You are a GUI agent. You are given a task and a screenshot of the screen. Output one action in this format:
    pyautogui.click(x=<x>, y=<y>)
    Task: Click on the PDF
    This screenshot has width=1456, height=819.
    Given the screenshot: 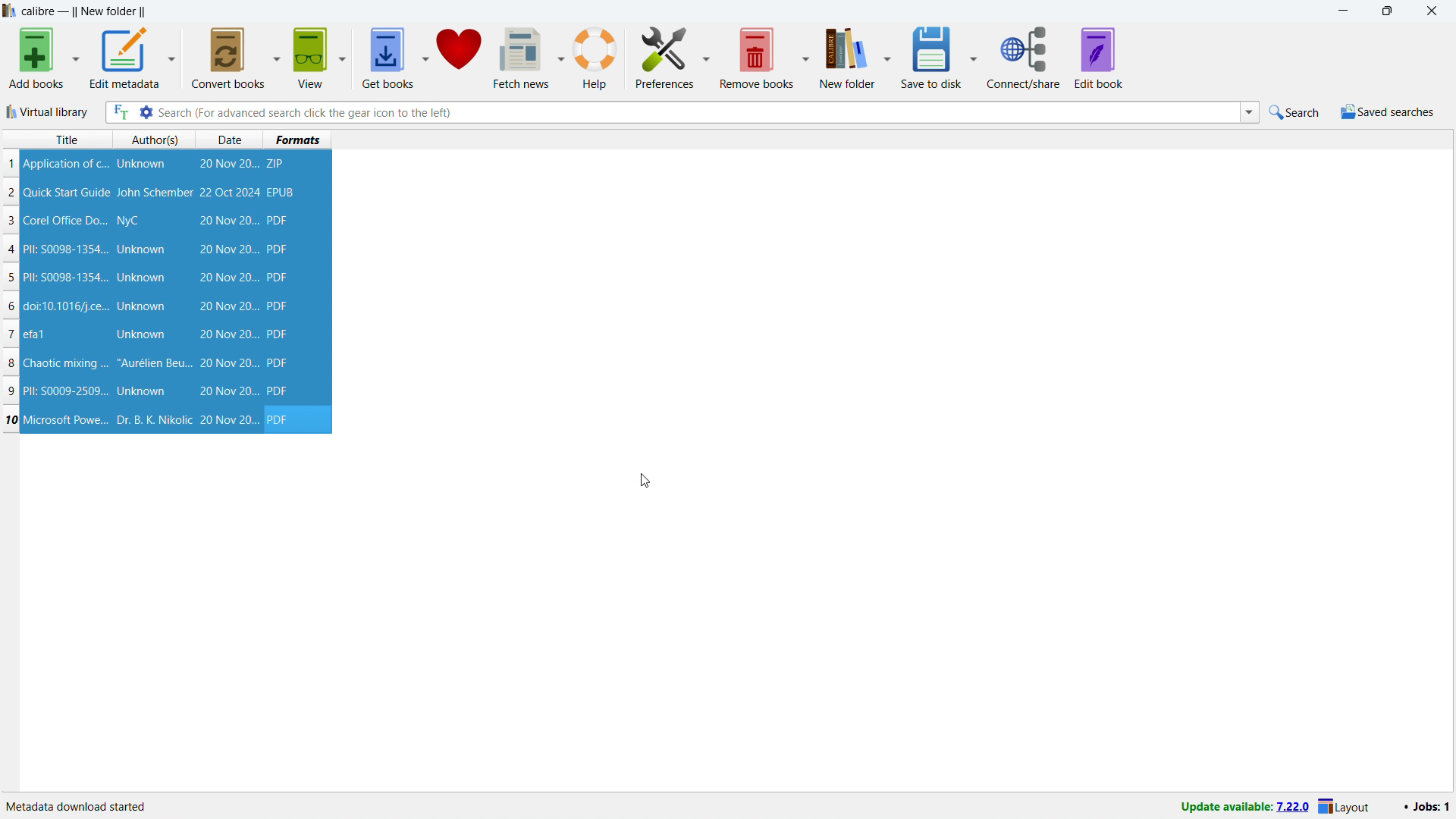 What is the action you would take?
    pyautogui.click(x=280, y=391)
    